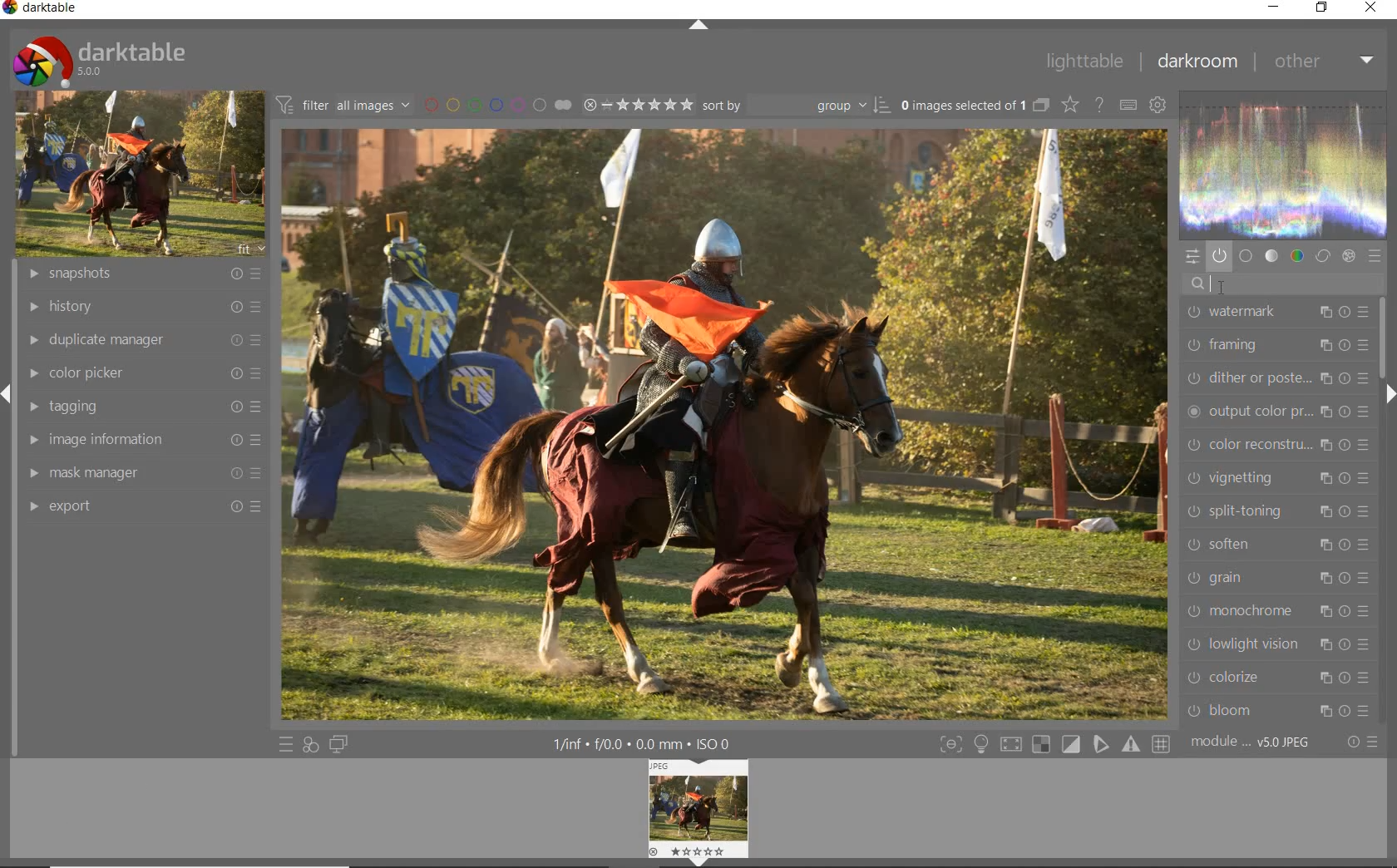 The image size is (1397, 868). Describe the element at coordinates (45, 10) in the screenshot. I see `darktable` at that location.